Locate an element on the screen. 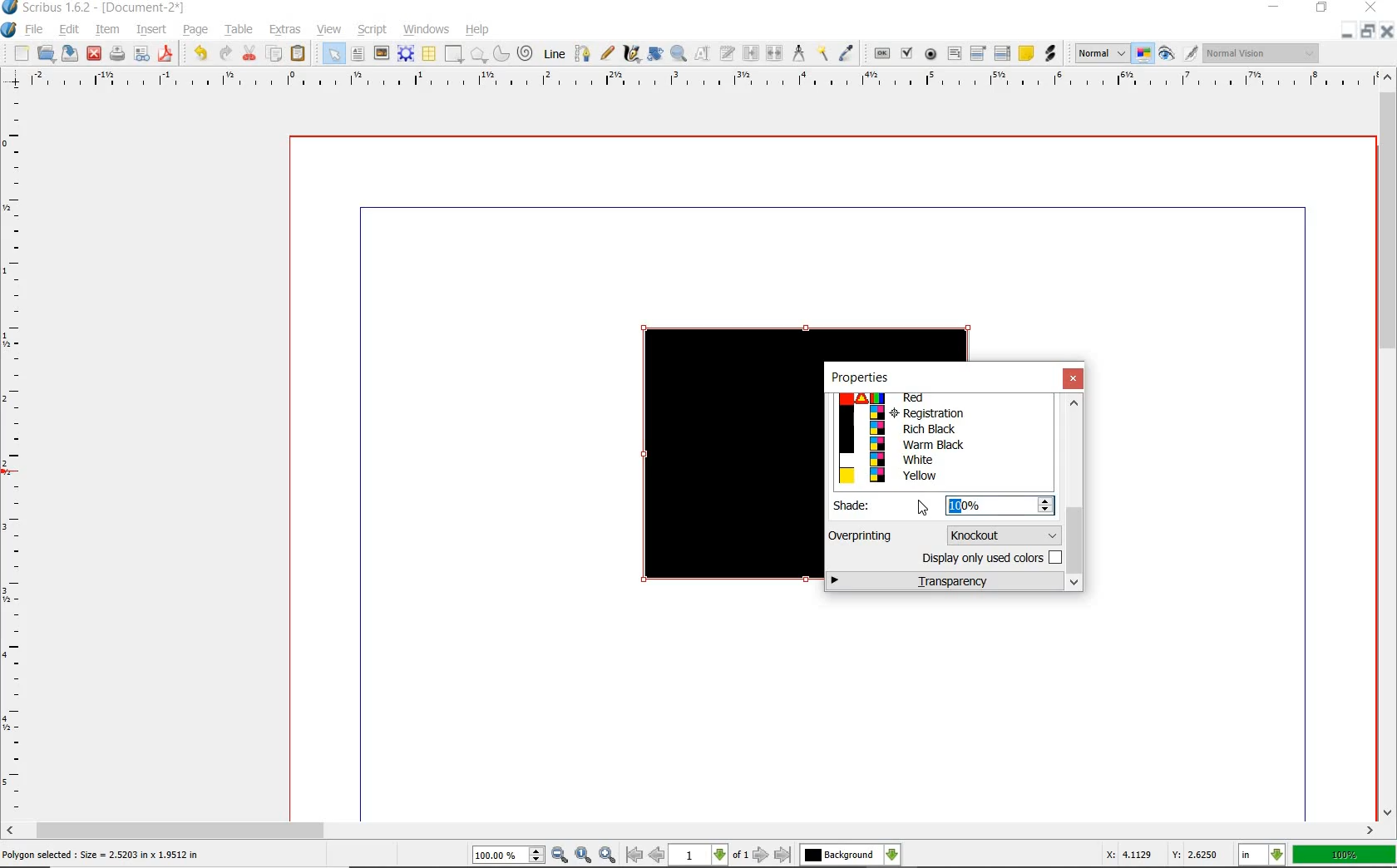 The image size is (1397, 868). pdf list box is located at coordinates (1003, 52).